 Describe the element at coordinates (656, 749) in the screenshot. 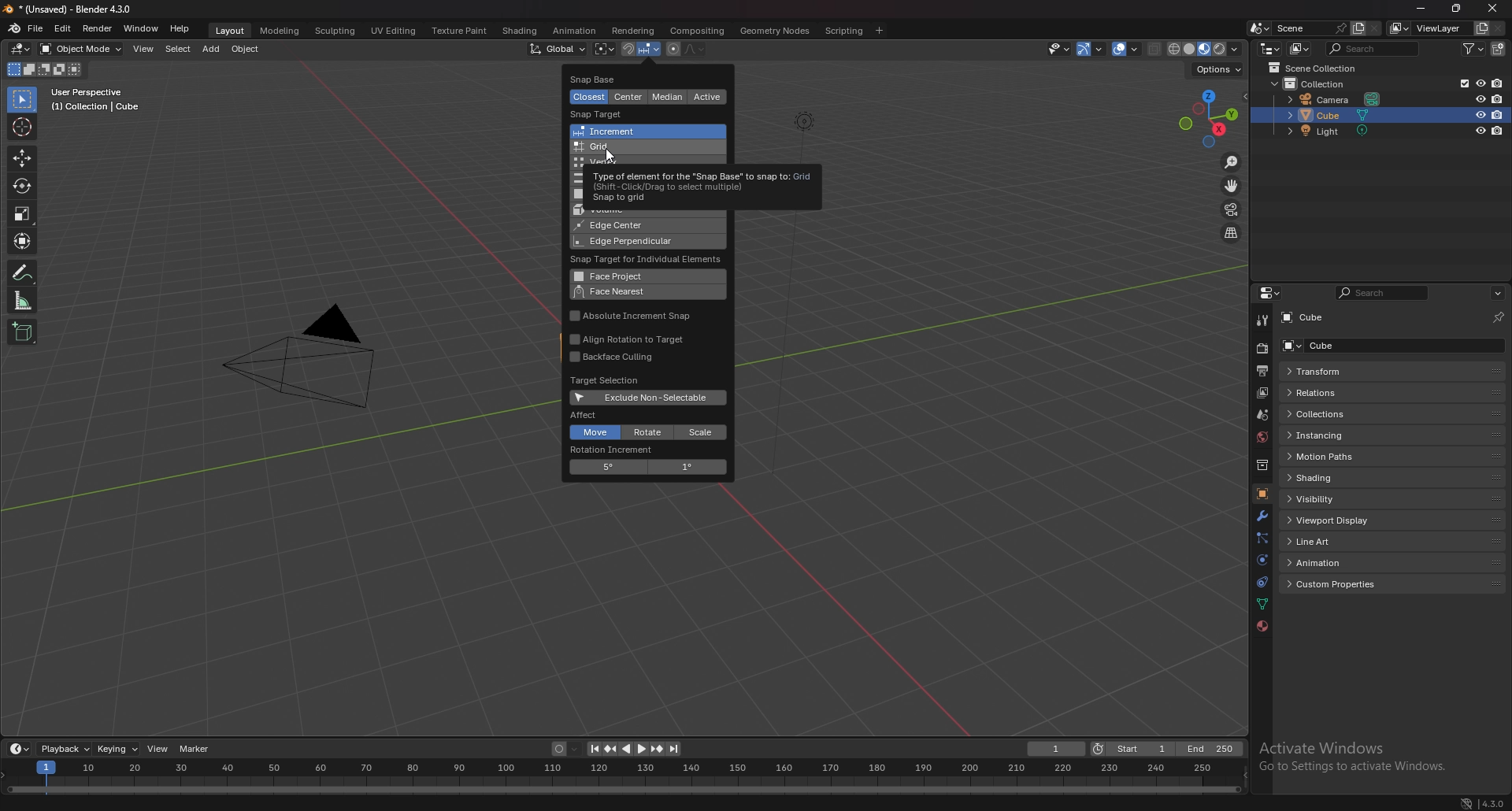

I see `jump to last keyframe` at that location.